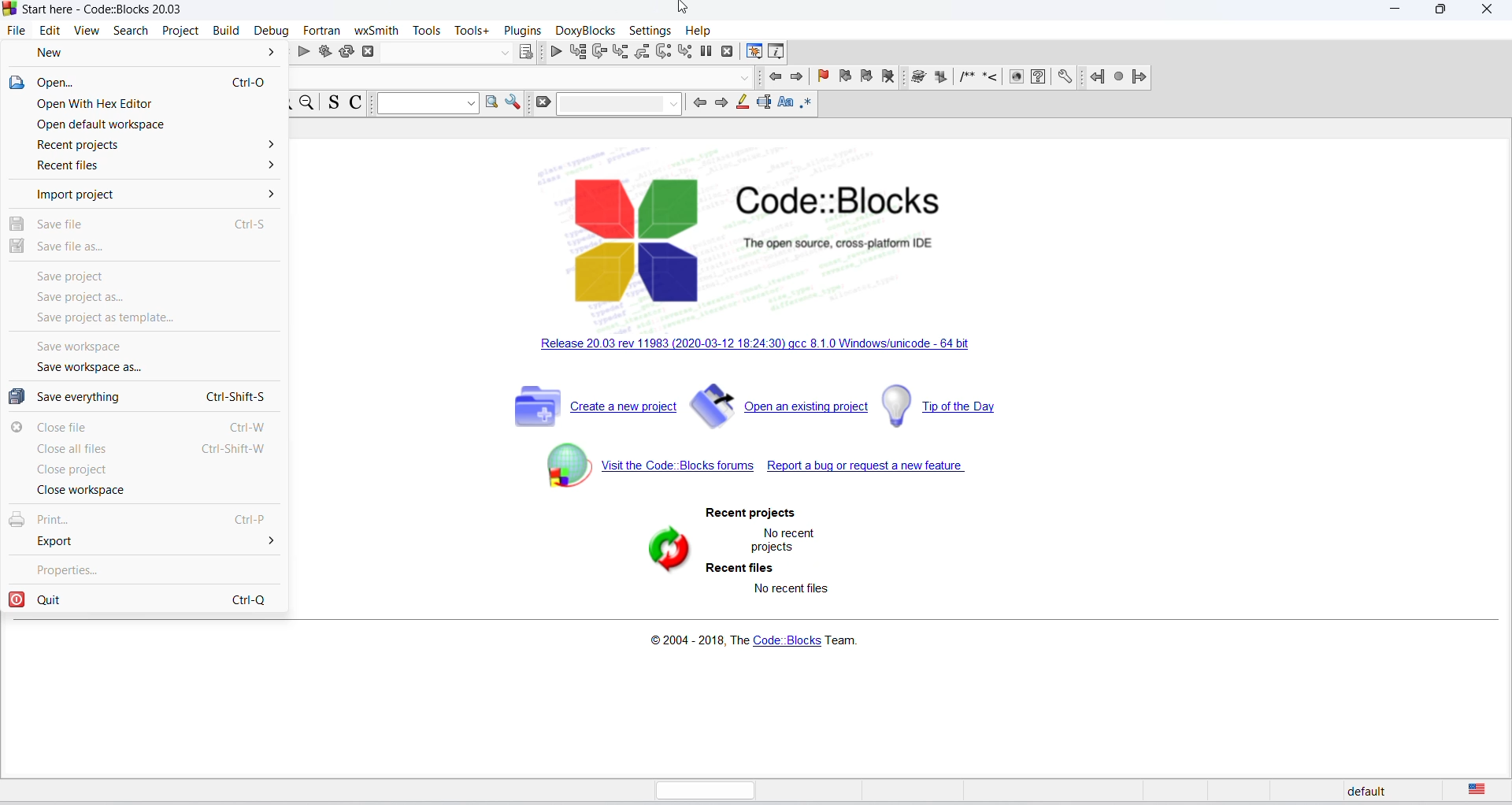  I want to click on tools plus, so click(469, 31).